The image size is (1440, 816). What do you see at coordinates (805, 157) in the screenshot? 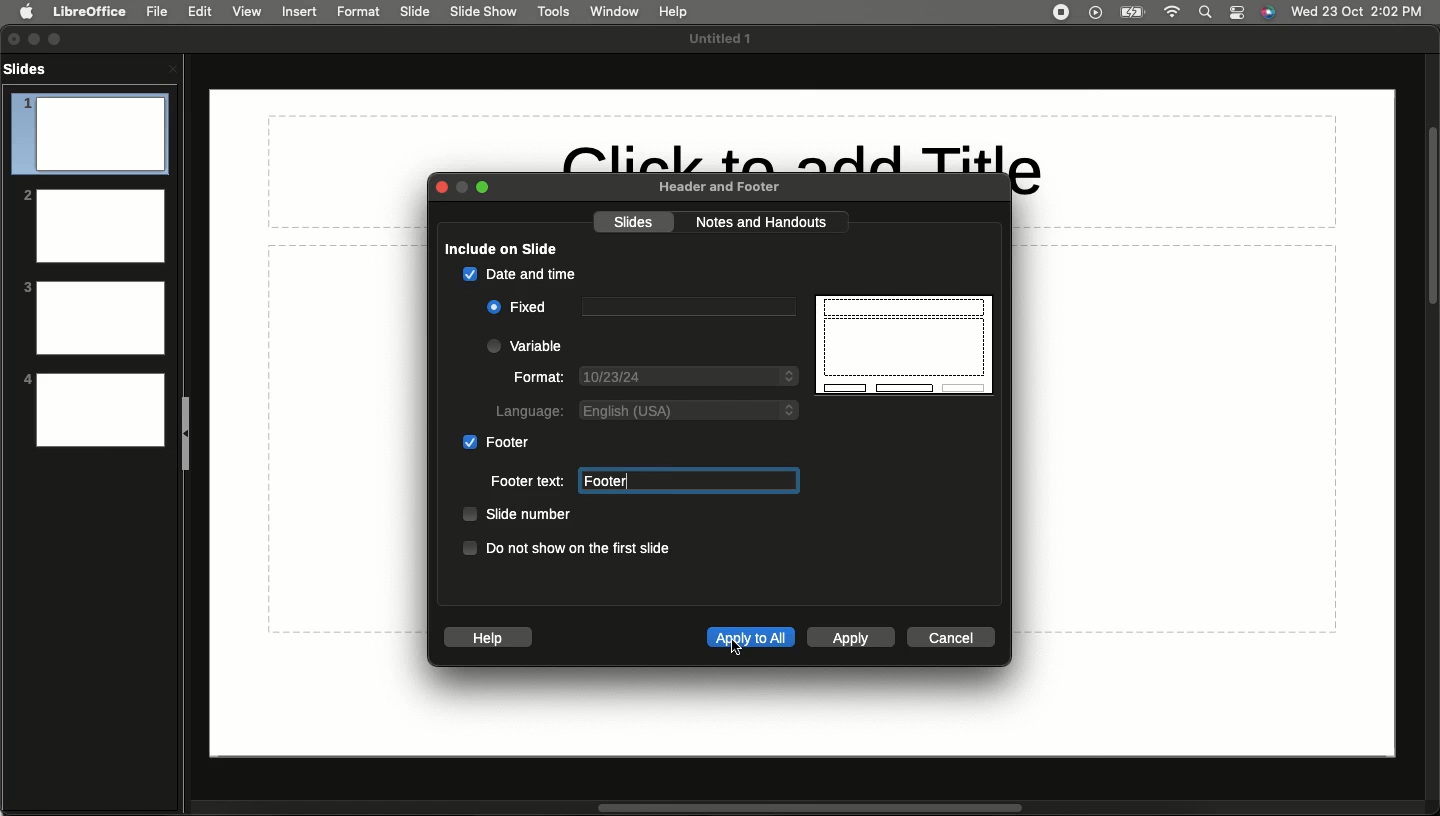
I see `Click to add Title` at bounding box center [805, 157].